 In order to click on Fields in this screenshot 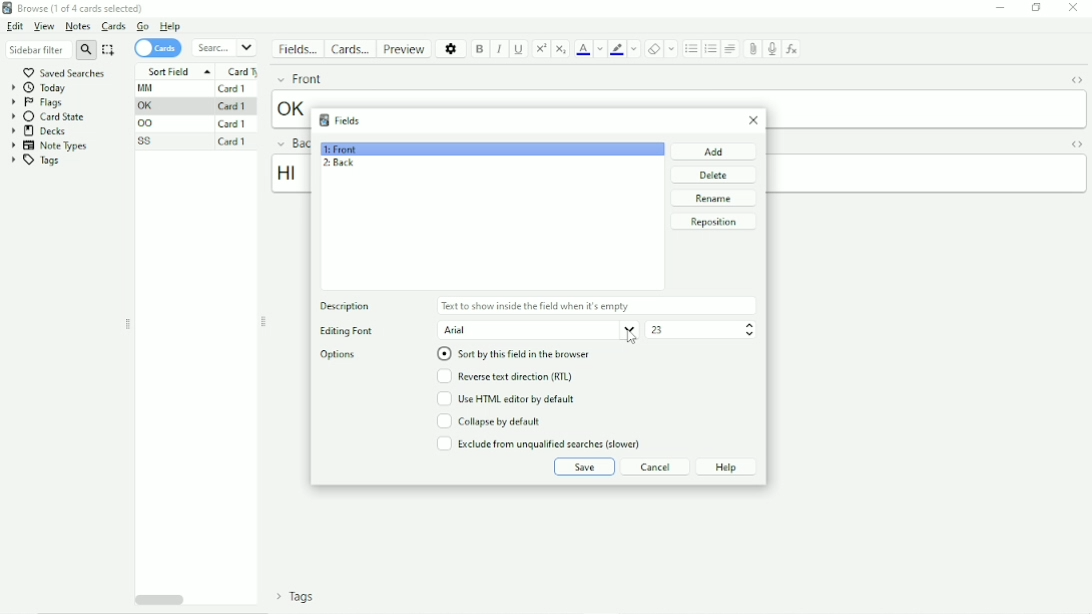, I will do `click(299, 52)`.